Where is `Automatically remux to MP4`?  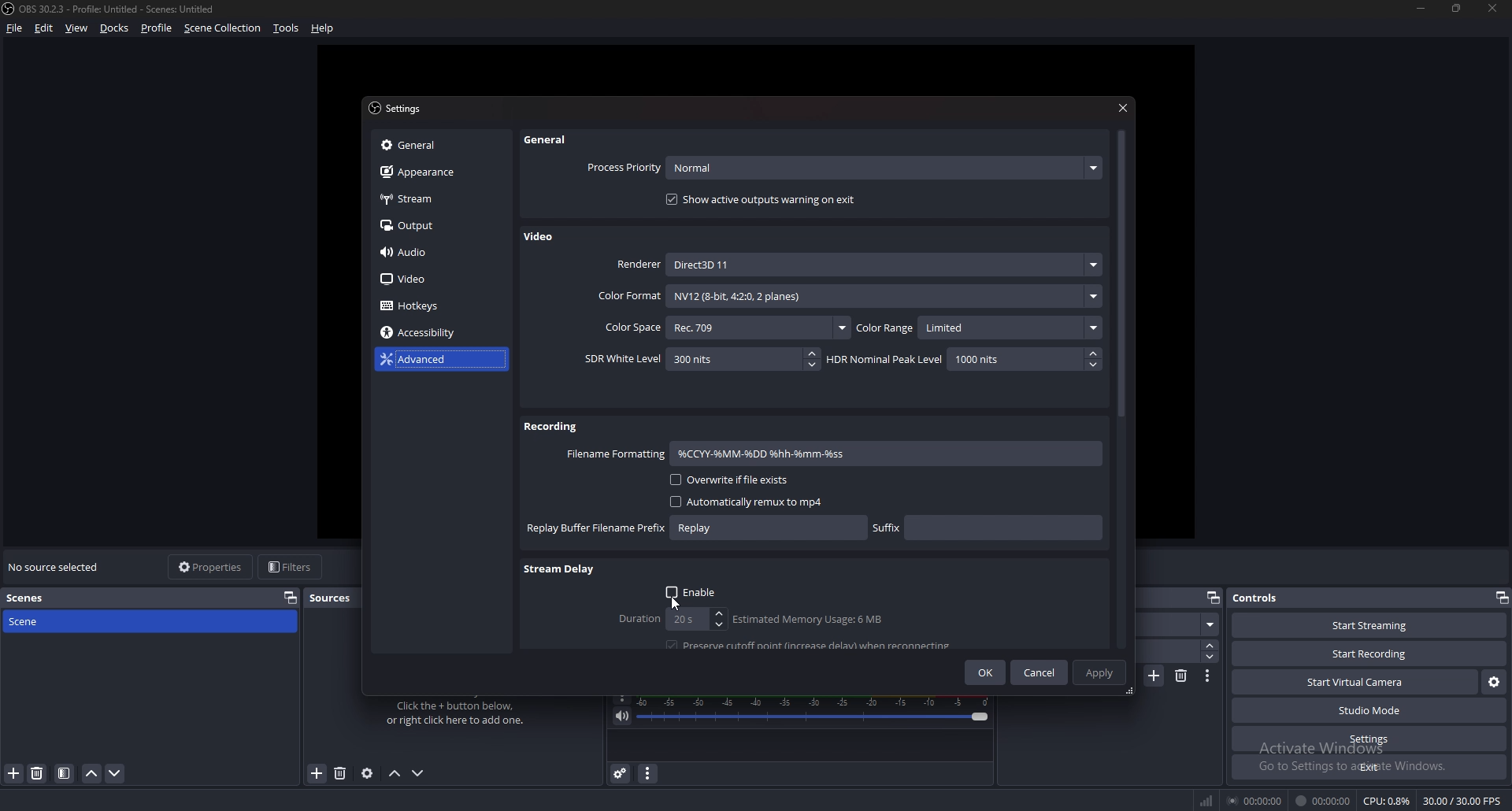 Automatically remux to MP4 is located at coordinates (739, 502).